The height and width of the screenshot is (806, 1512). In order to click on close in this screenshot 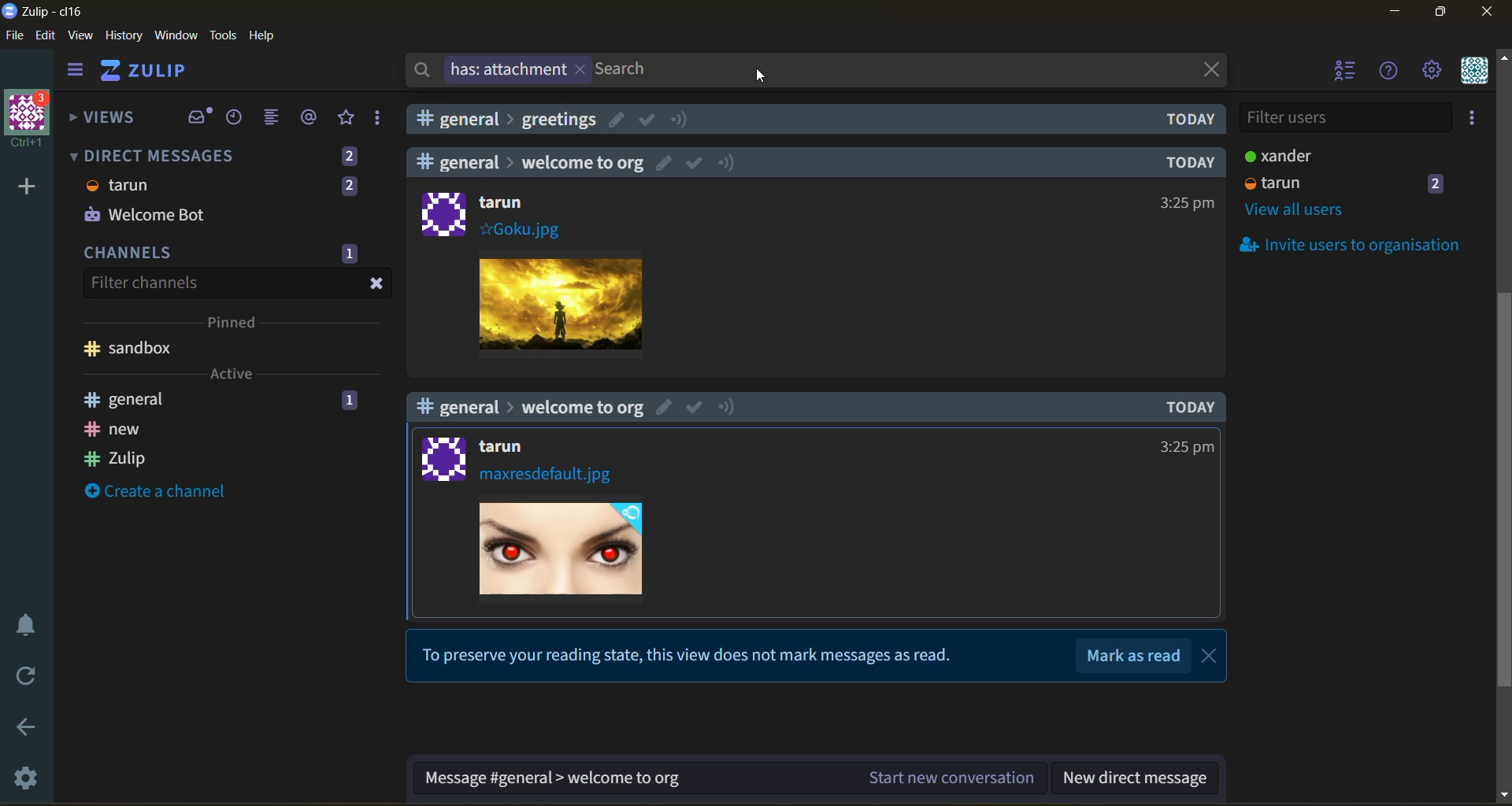, I will do `click(378, 284)`.